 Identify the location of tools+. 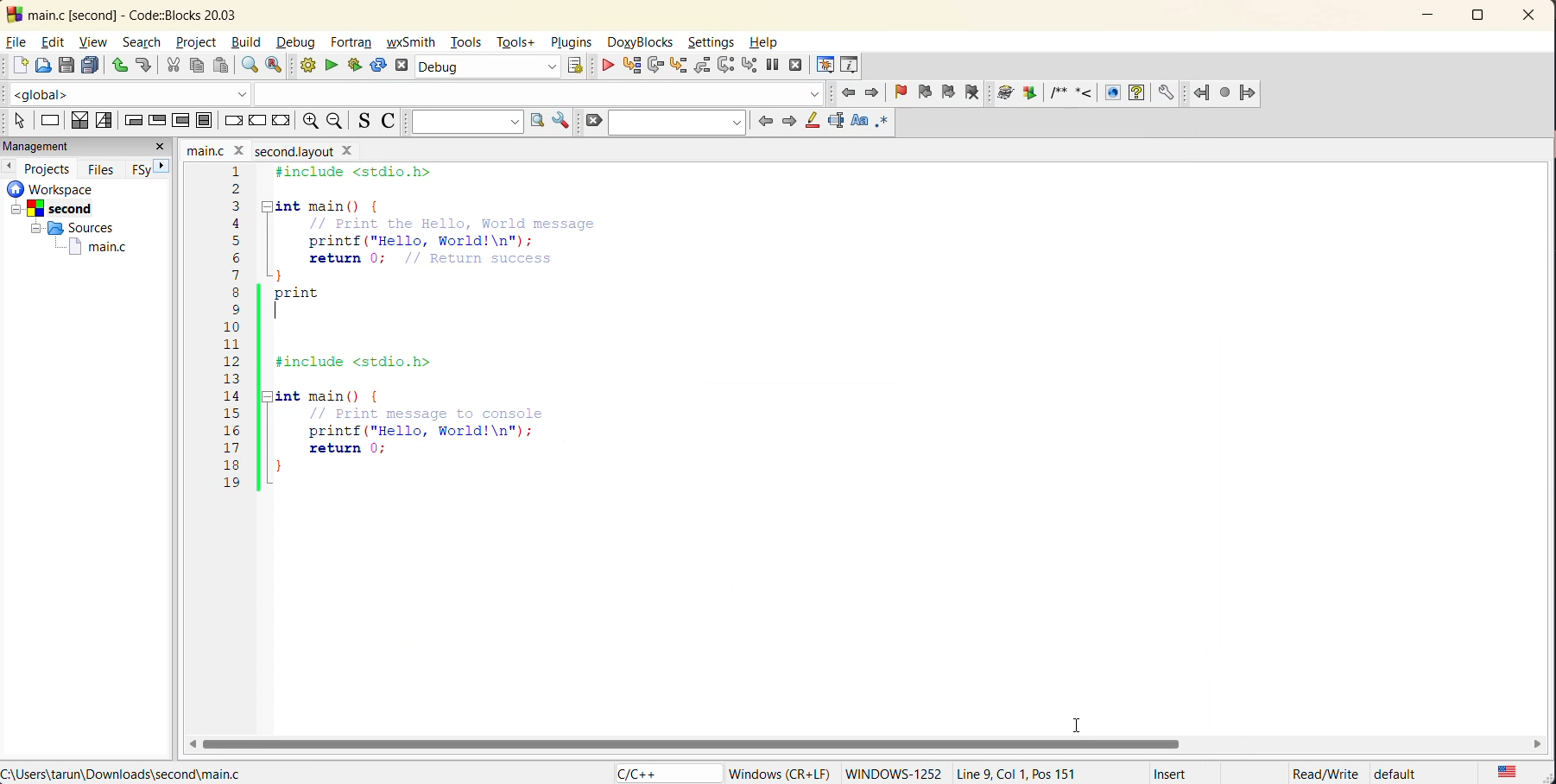
(517, 41).